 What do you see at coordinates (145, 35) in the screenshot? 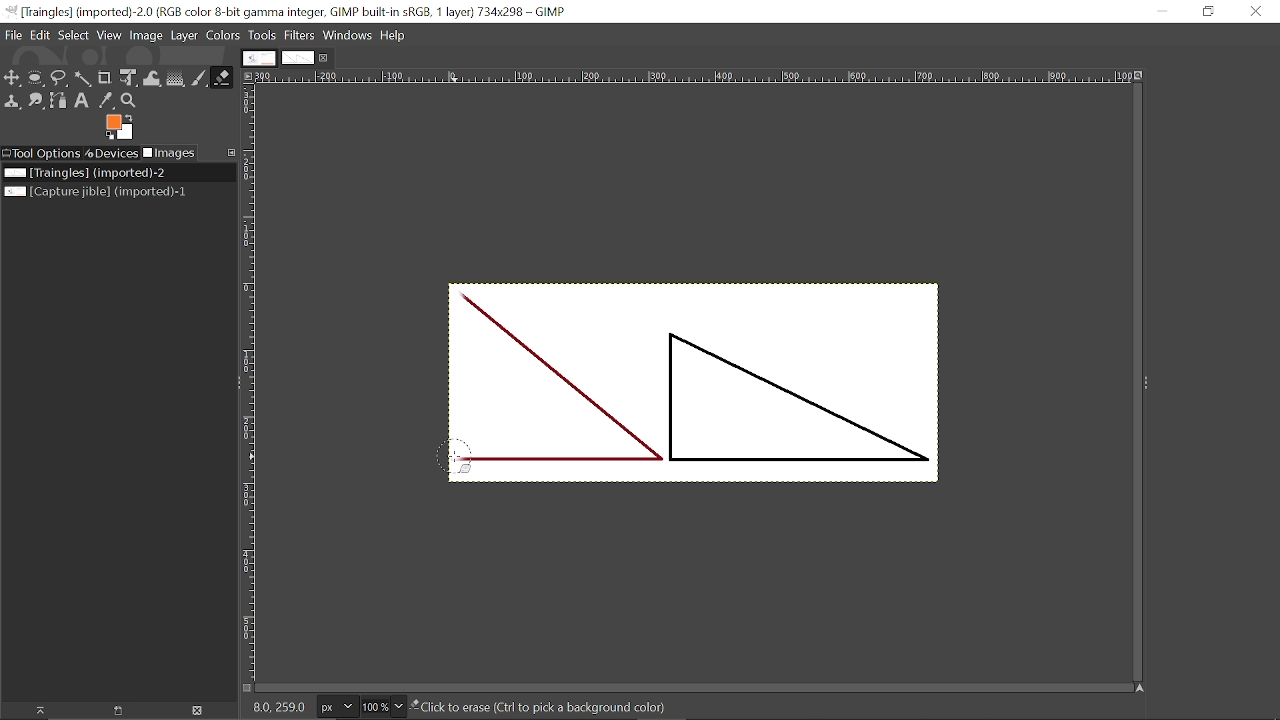
I see `Image` at bounding box center [145, 35].